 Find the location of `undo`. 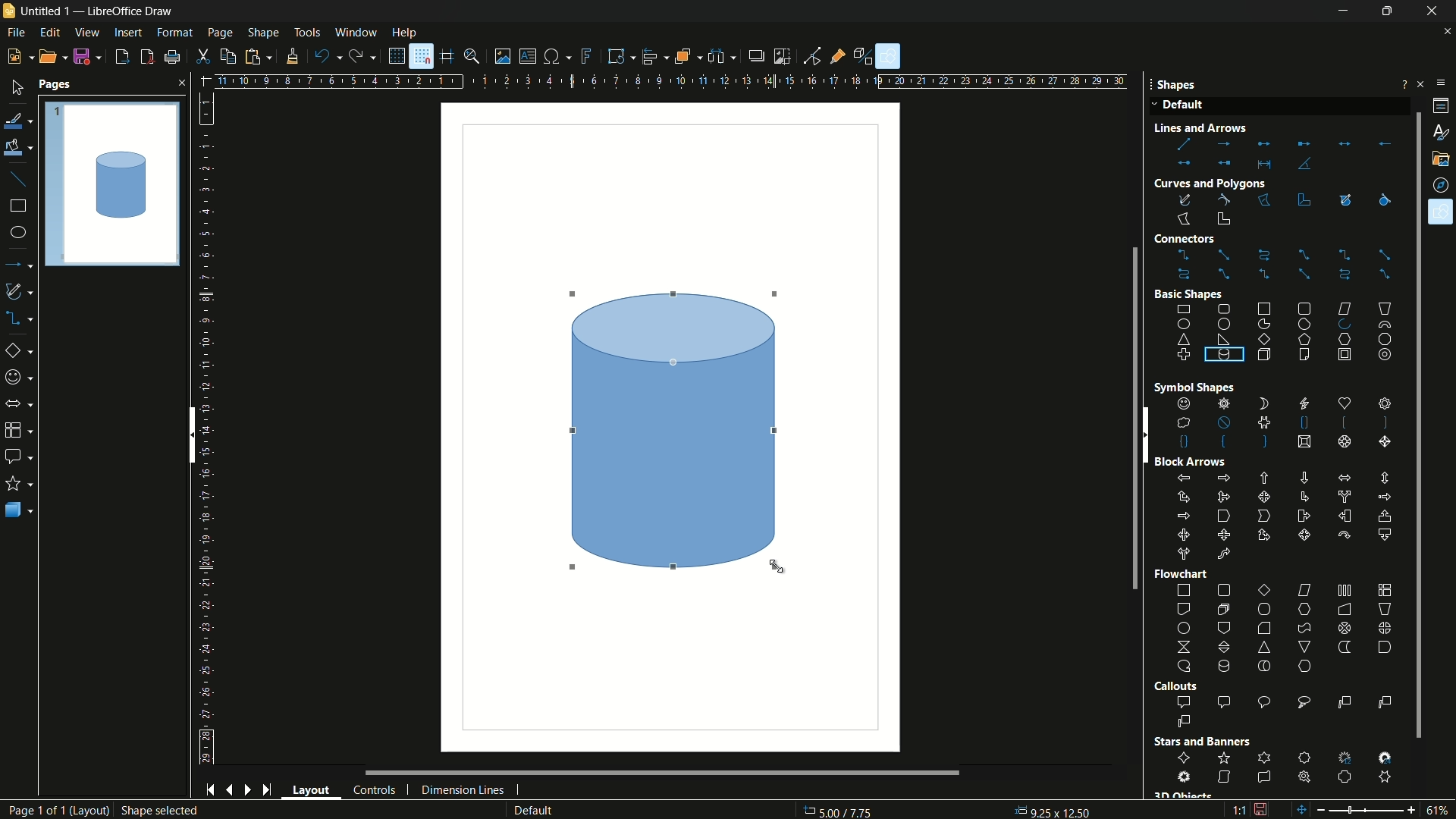

undo is located at coordinates (328, 57).